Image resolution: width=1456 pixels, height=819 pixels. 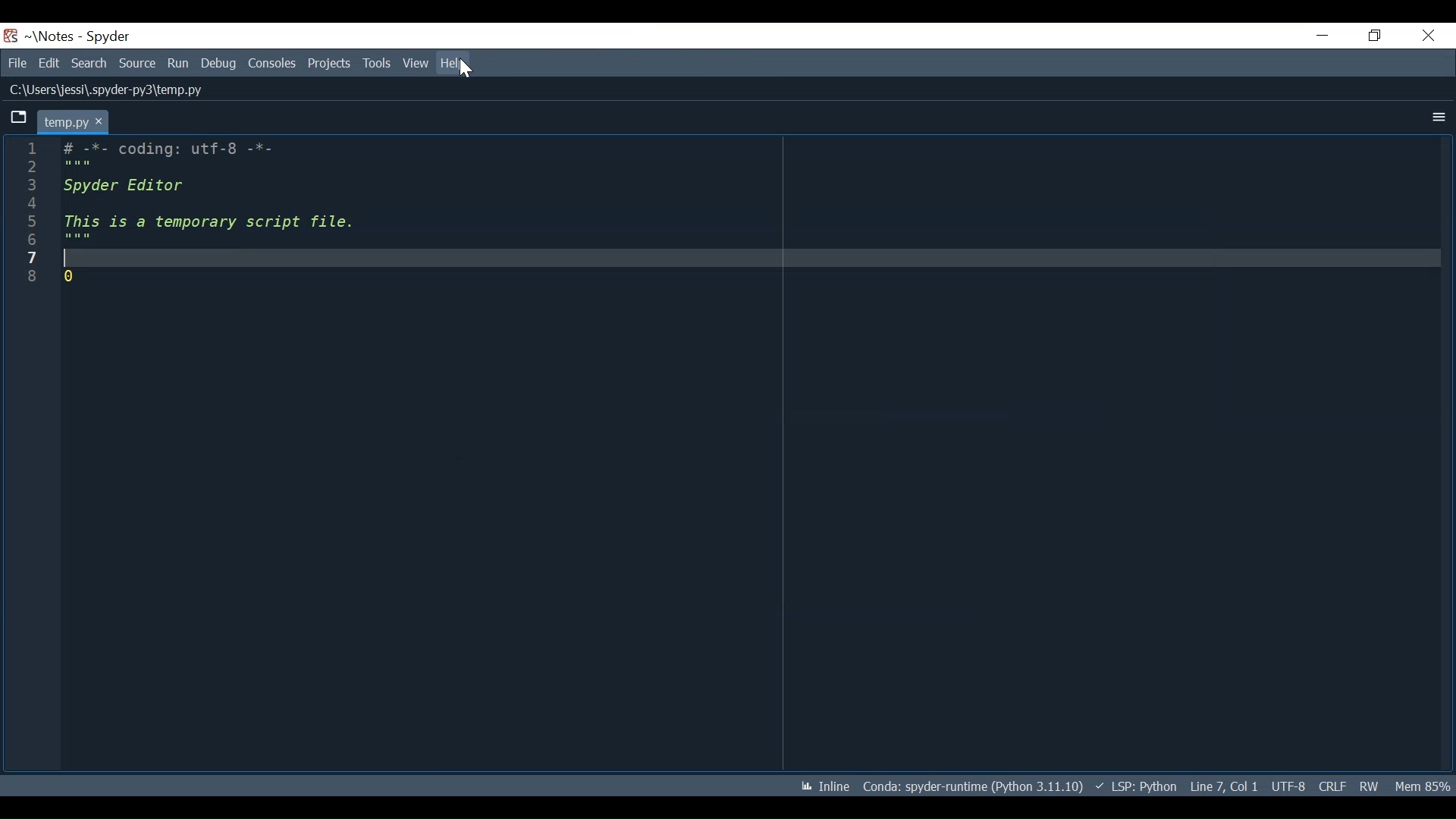 What do you see at coordinates (1323, 36) in the screenshot?
I see `Minimize` at bounding box center [1323, 36].